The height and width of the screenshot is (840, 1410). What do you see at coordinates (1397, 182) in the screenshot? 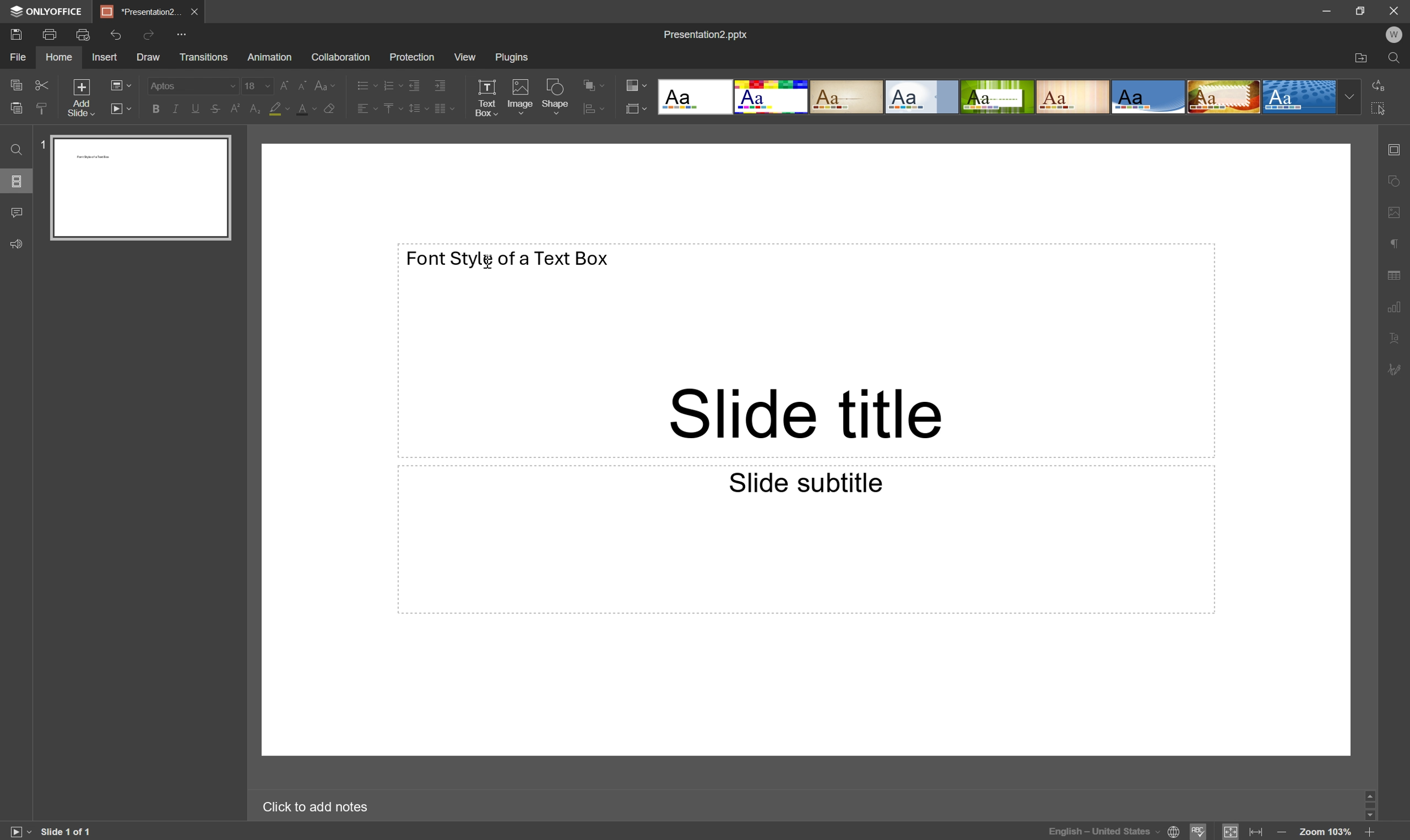
I see `Shape settings` at bounding box center [1397, 182].